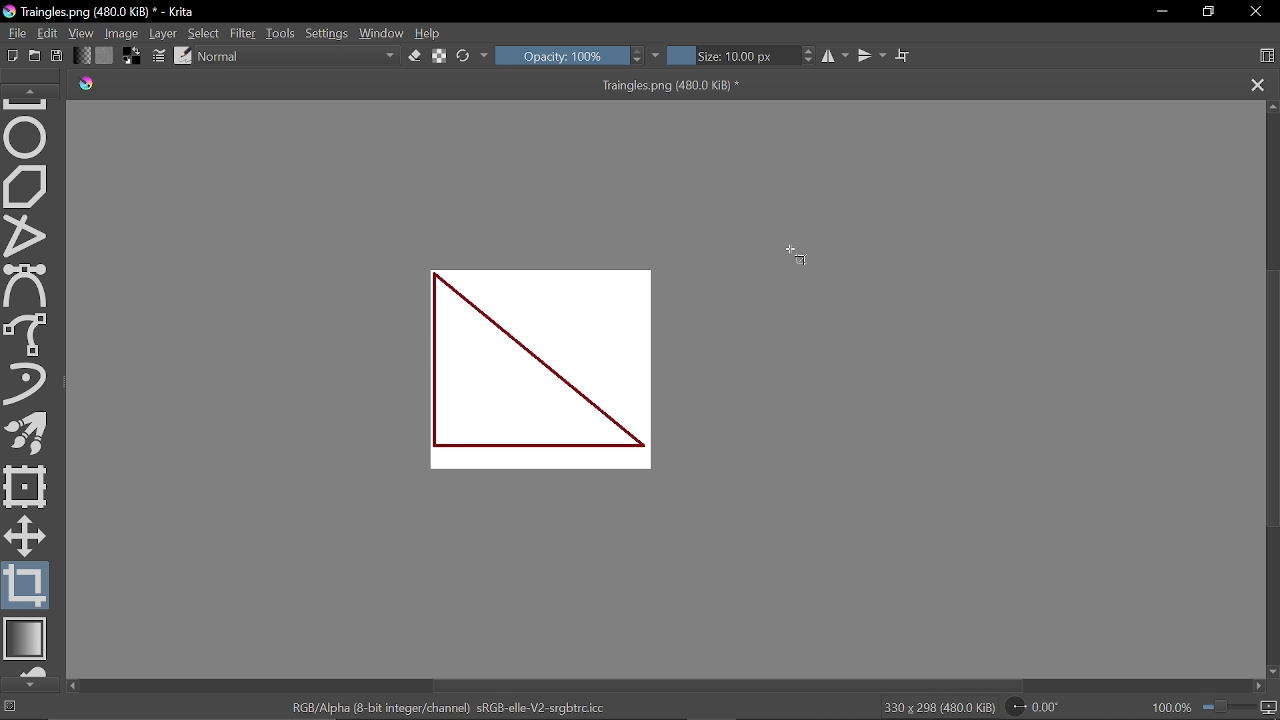  I want to click on Filter, so click(242, 33).